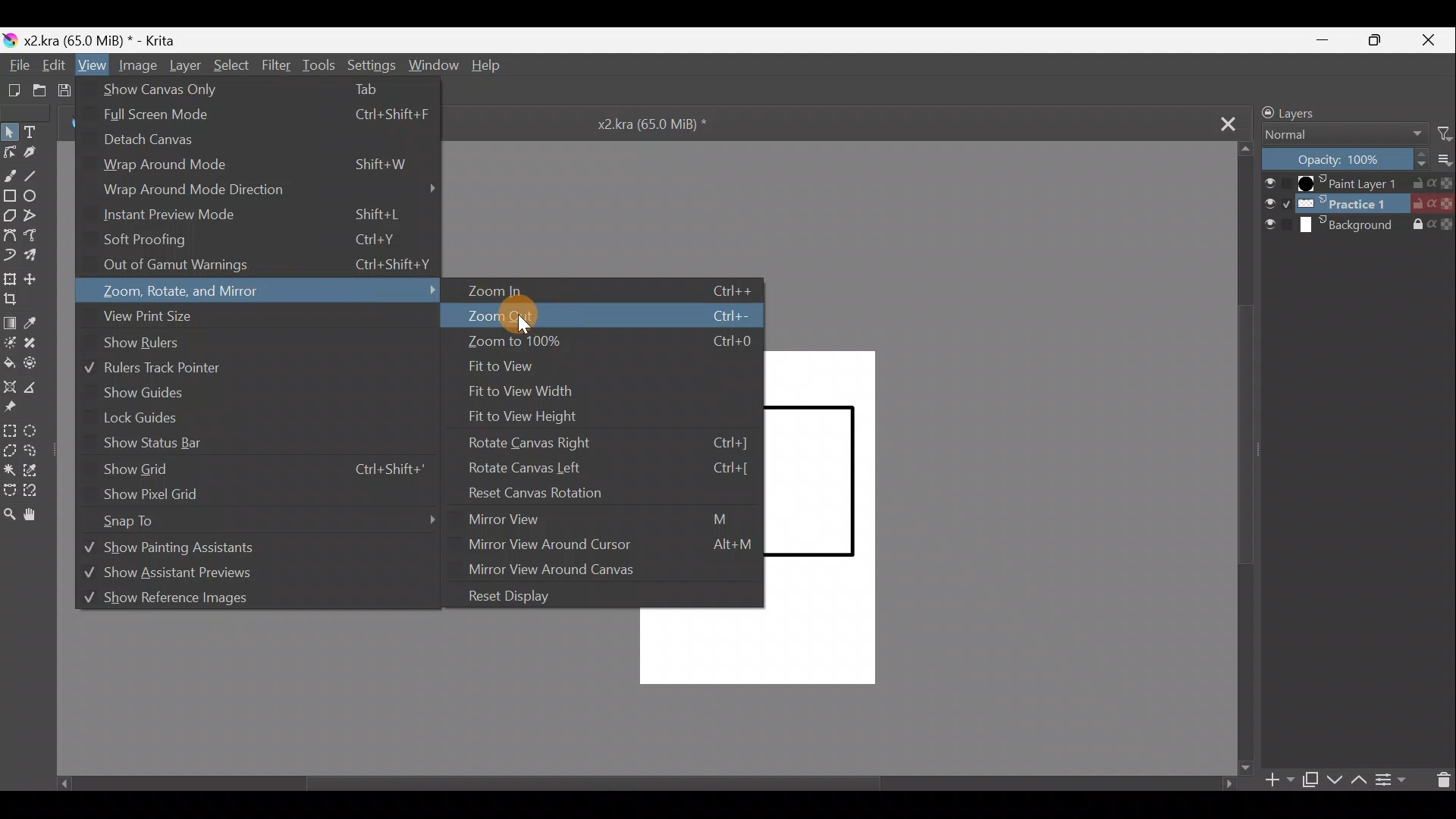 The image size is (1456, 819). What do you see at coordinates (13, 490) in the screenshot?
I see `Bezier curve selection tool` at bounding box center [13, 490].